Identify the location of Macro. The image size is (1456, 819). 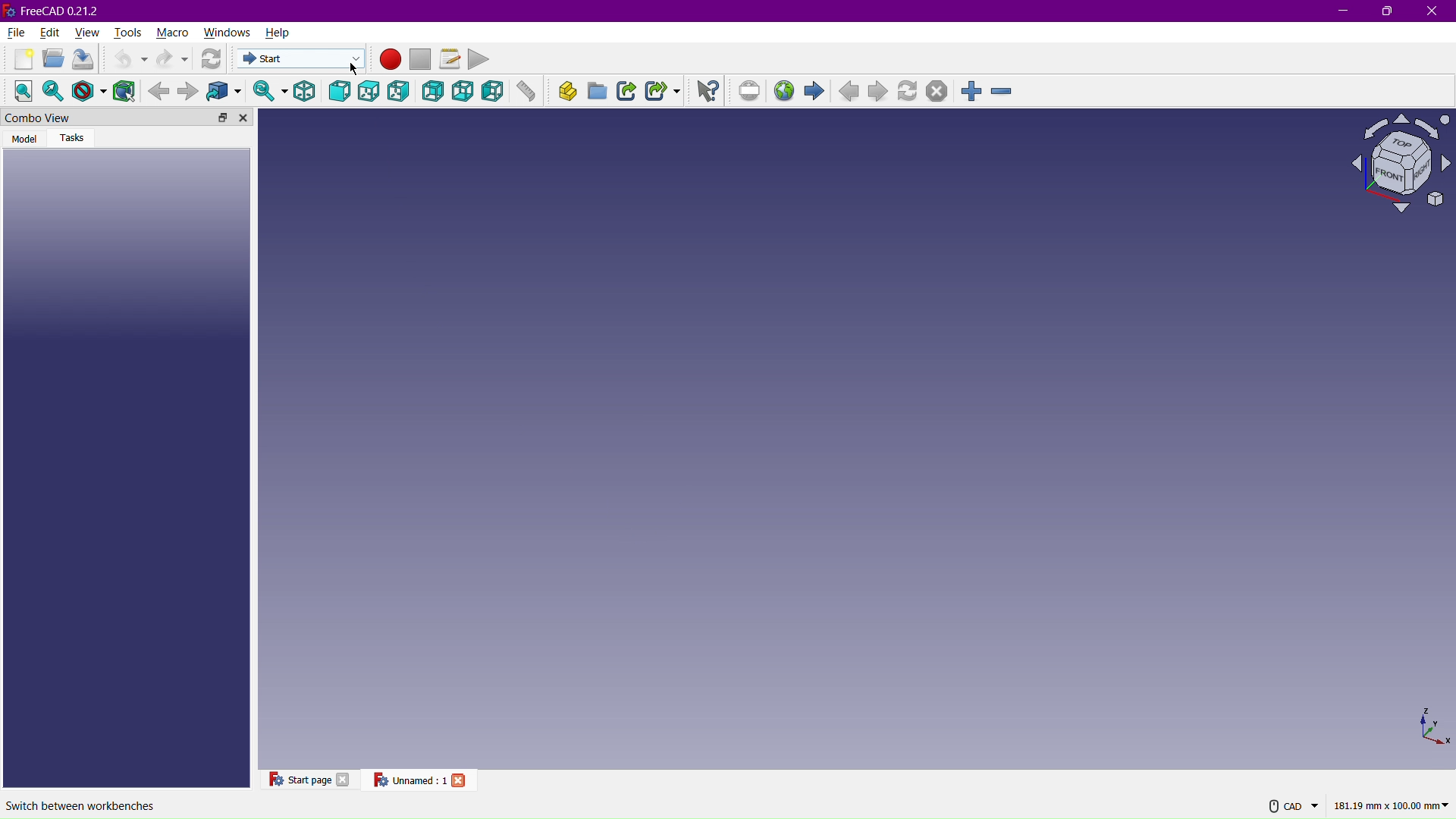
(172, 32).